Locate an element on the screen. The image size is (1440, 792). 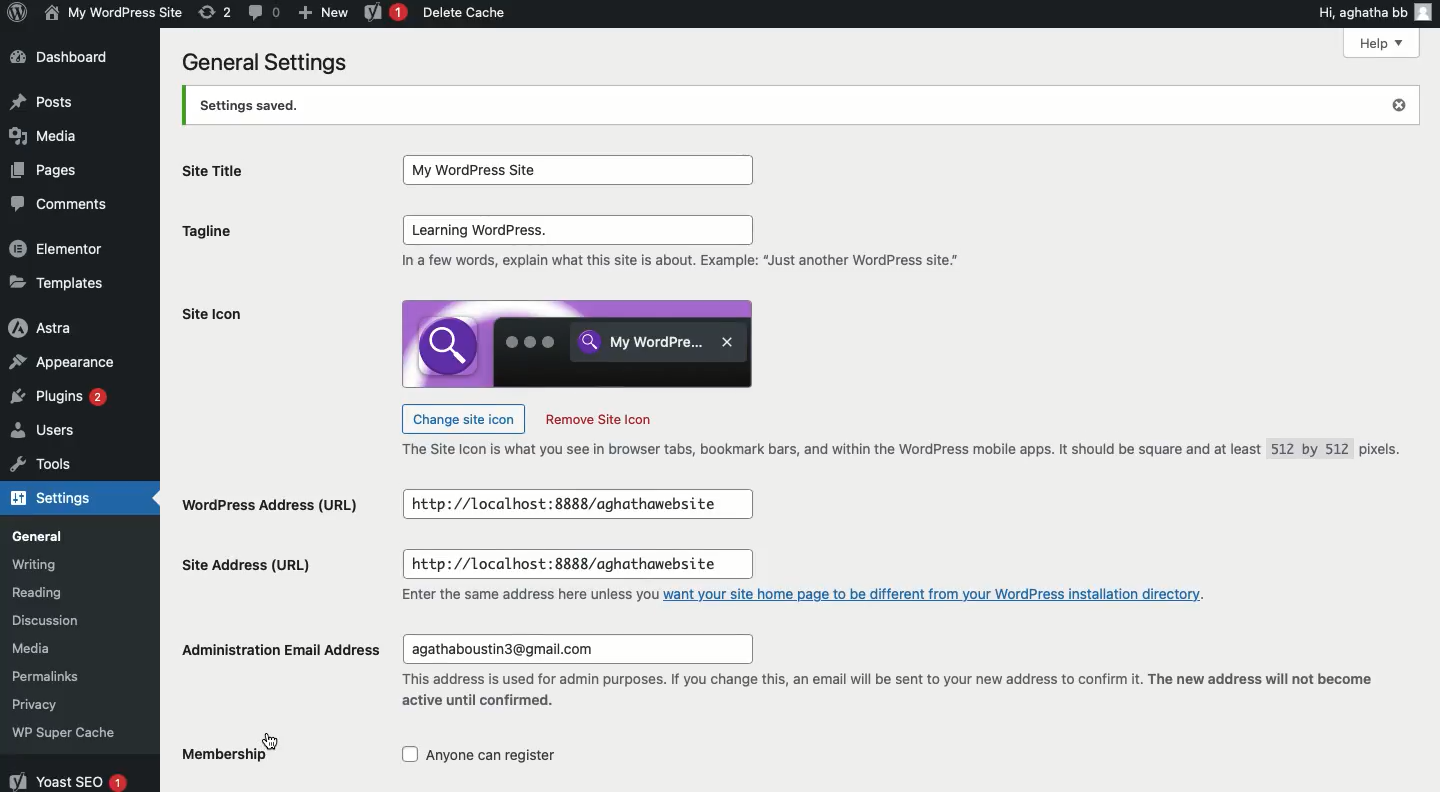
agathaboustin3@gmail.com is located at coordinates (576, 649).